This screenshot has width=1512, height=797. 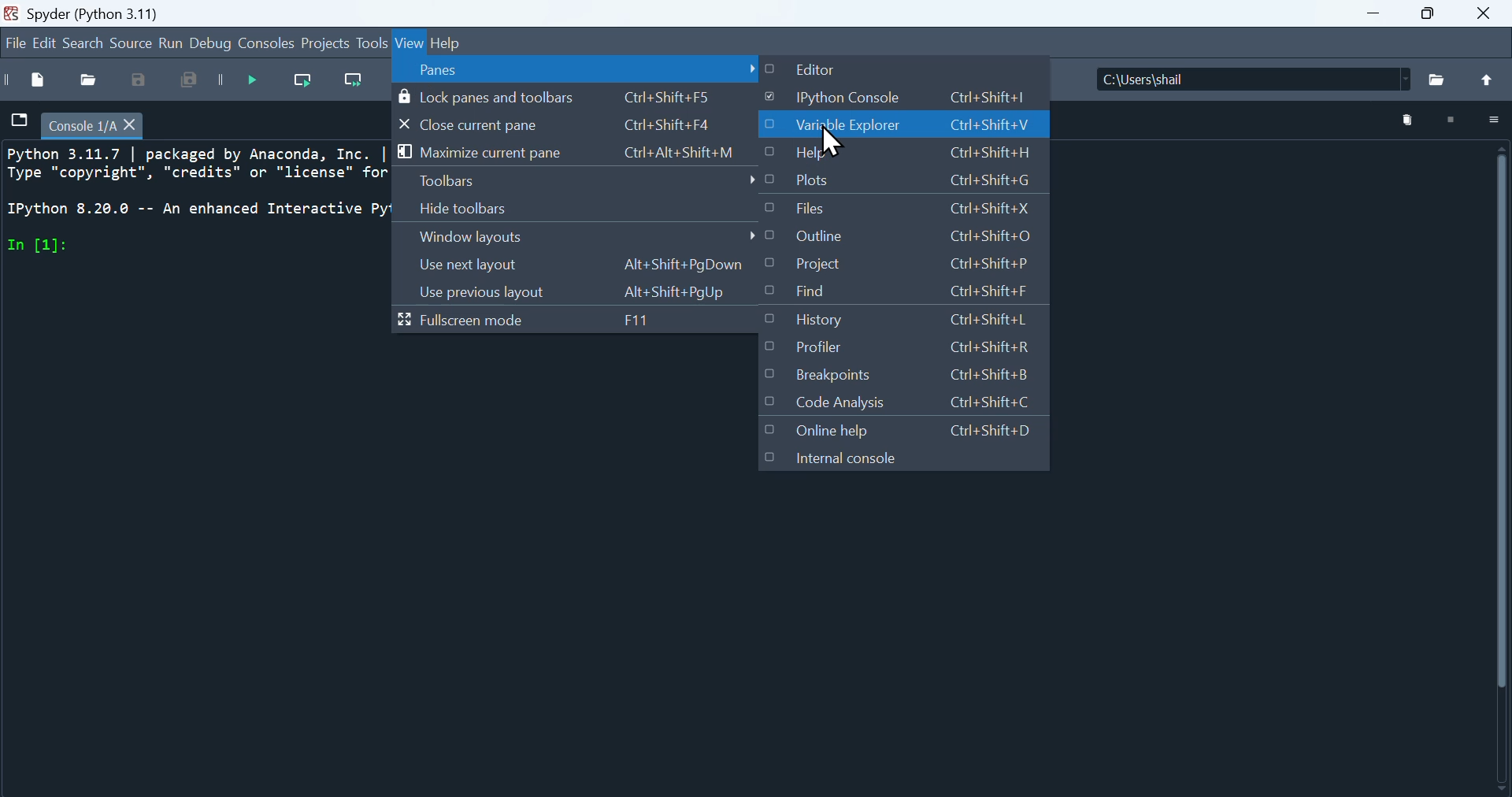 What do you see at coordinates (101, 124) in the screenshot?
I see `filename` at bounding box center [101, 124].